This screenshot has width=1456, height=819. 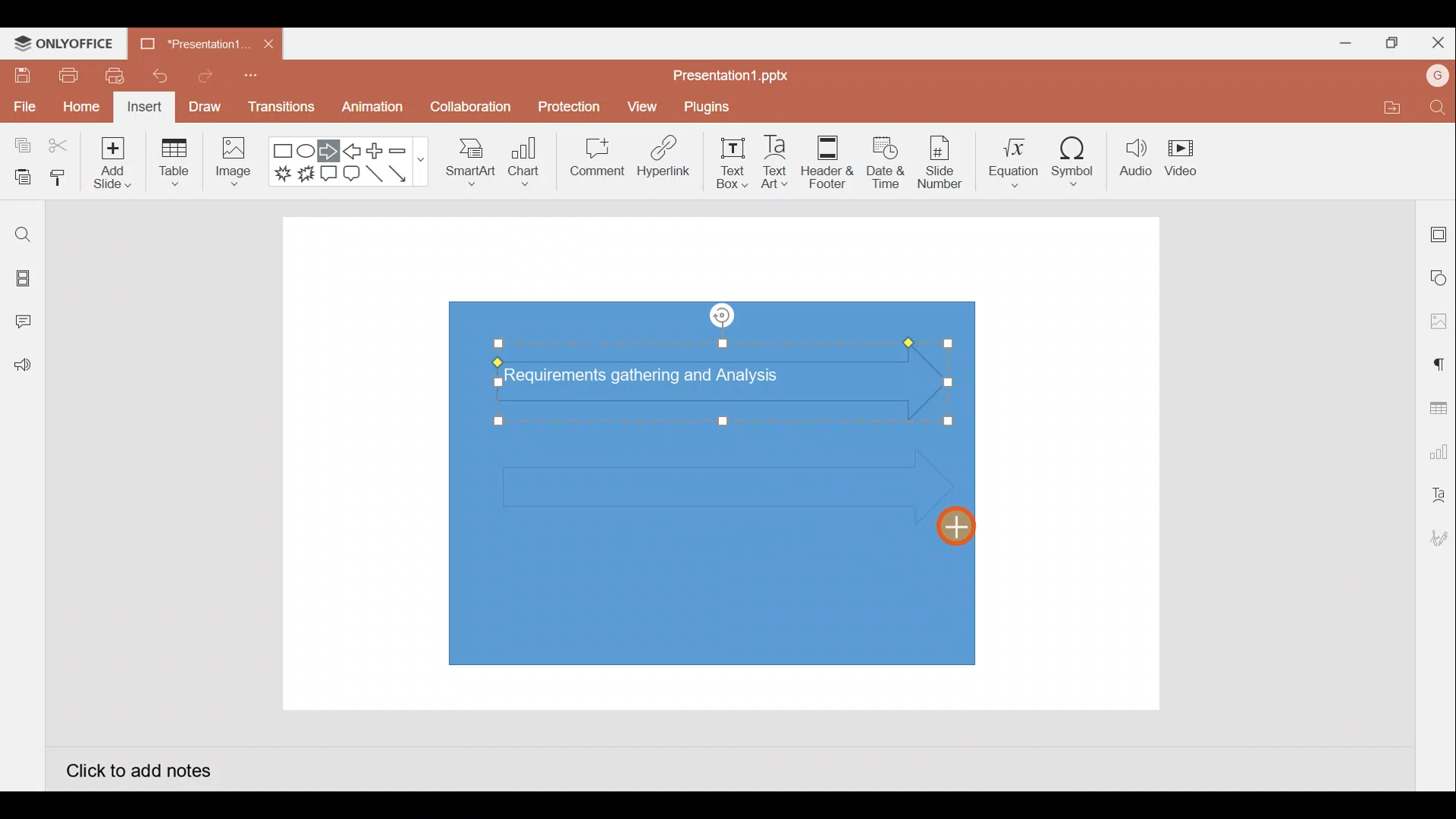 I want to click on Save, so click(x=20, y=74).